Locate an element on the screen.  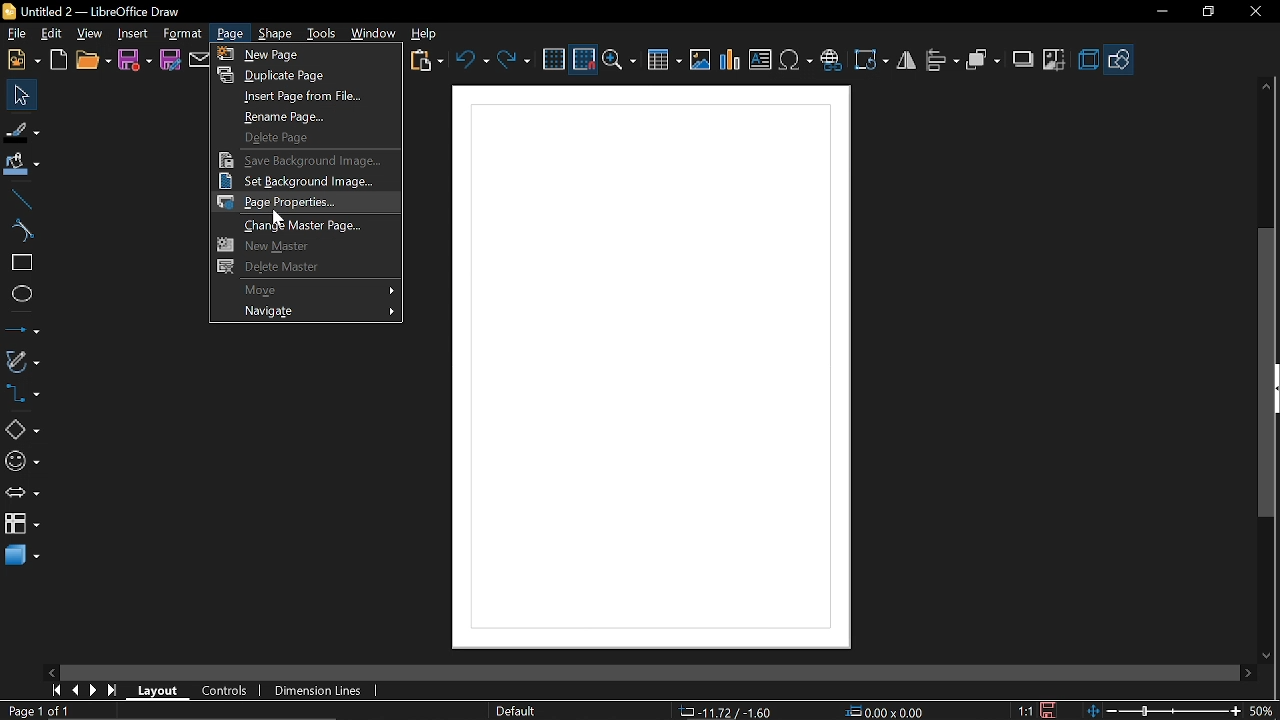
Open template is located at coordinates (60, 60).